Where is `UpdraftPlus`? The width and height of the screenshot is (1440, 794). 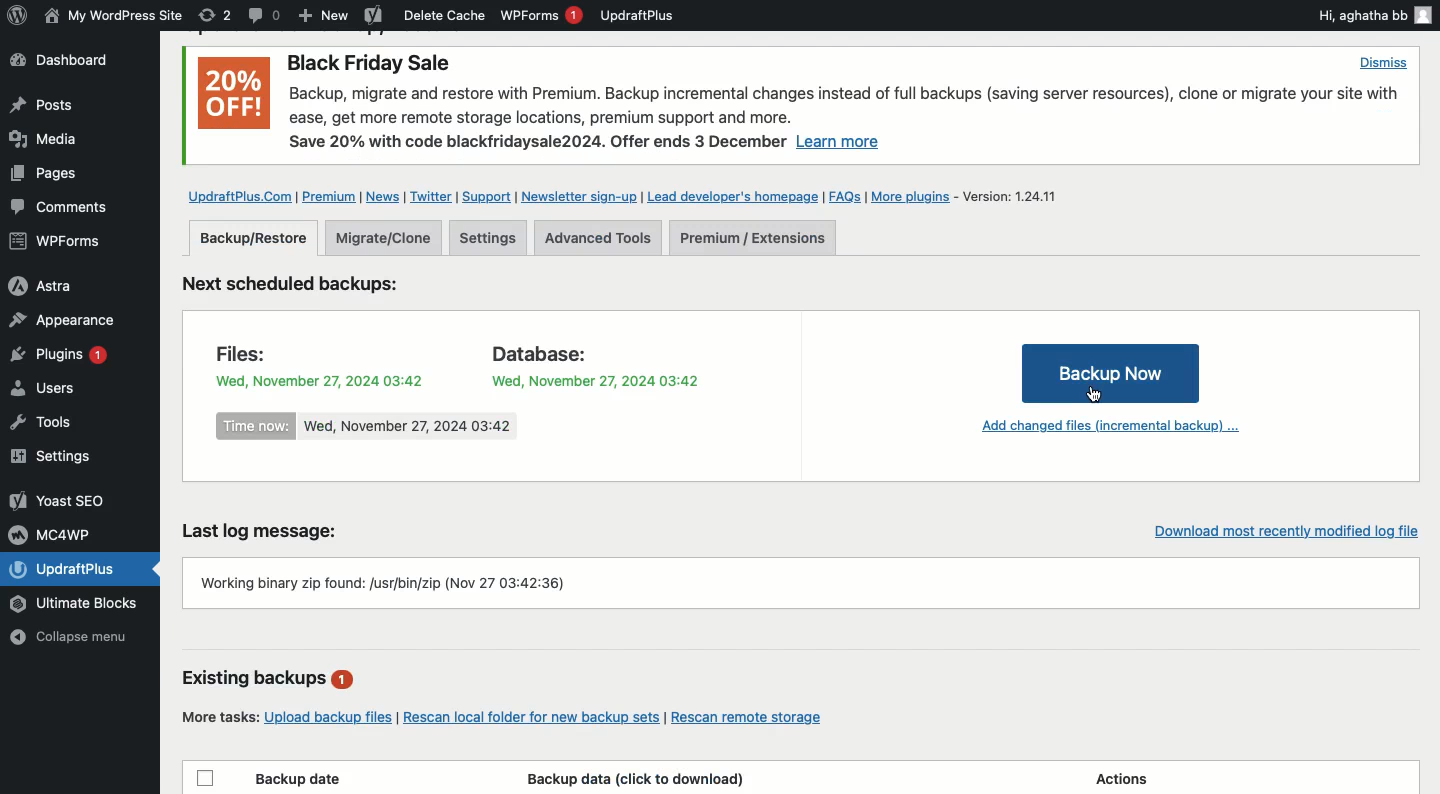
UpdraftPlus is located at coordinates (638, 15).